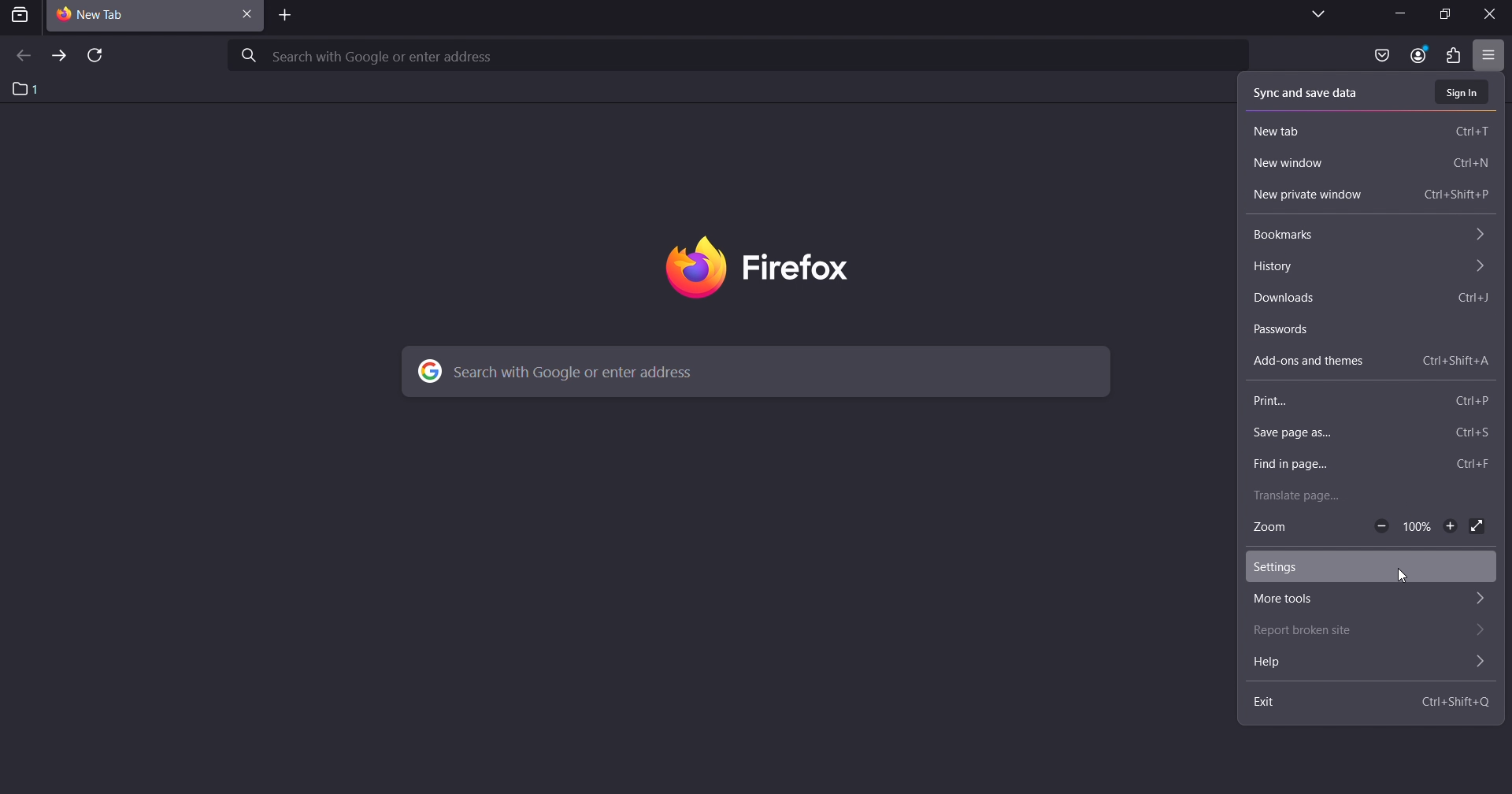 The image size is (1512, 794). I want to click on new window, so click(1369, 165).